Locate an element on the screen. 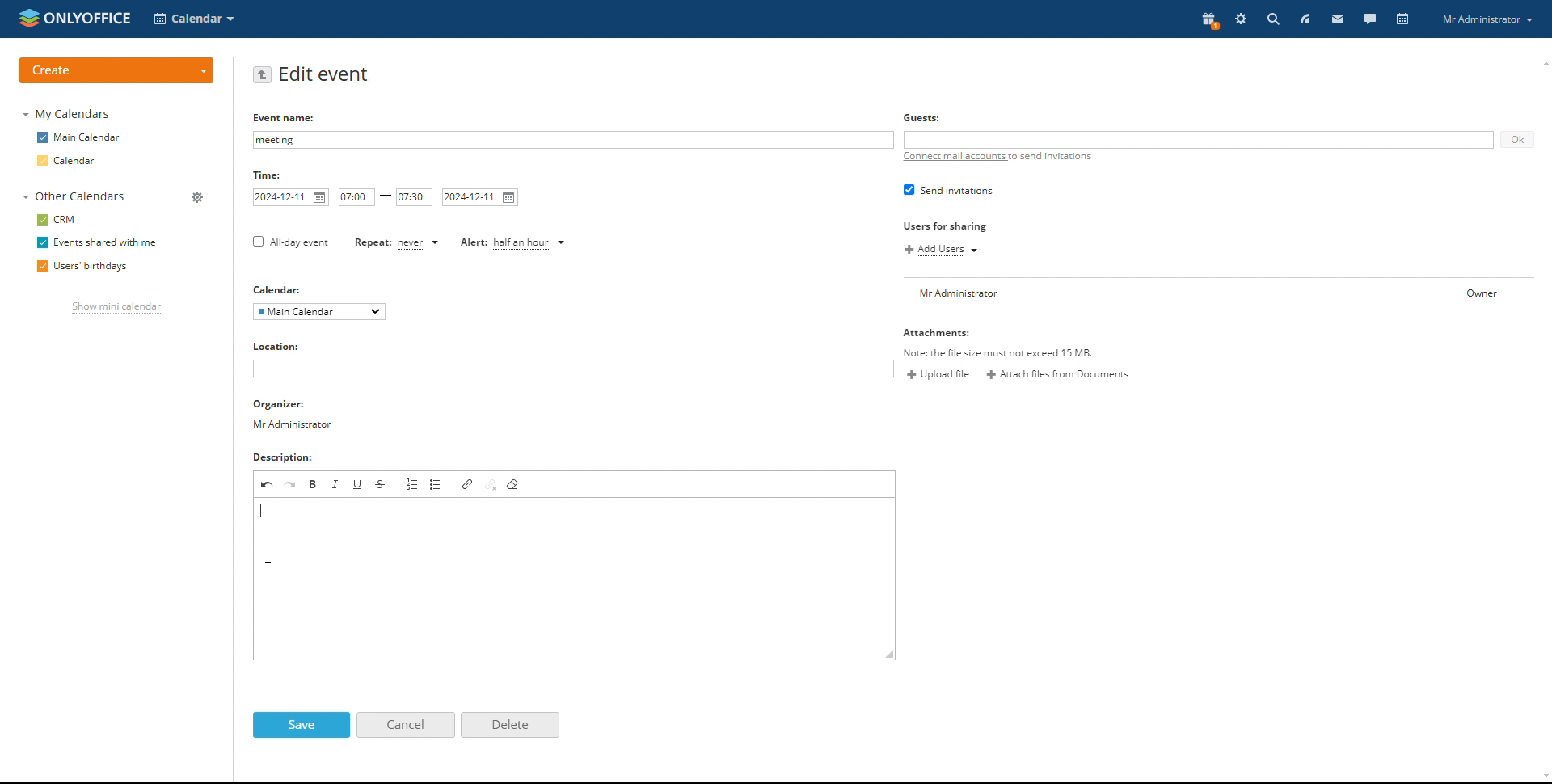 The width and height of the screenshot is (1552, 784). go back is located at coordinates (262, 75).